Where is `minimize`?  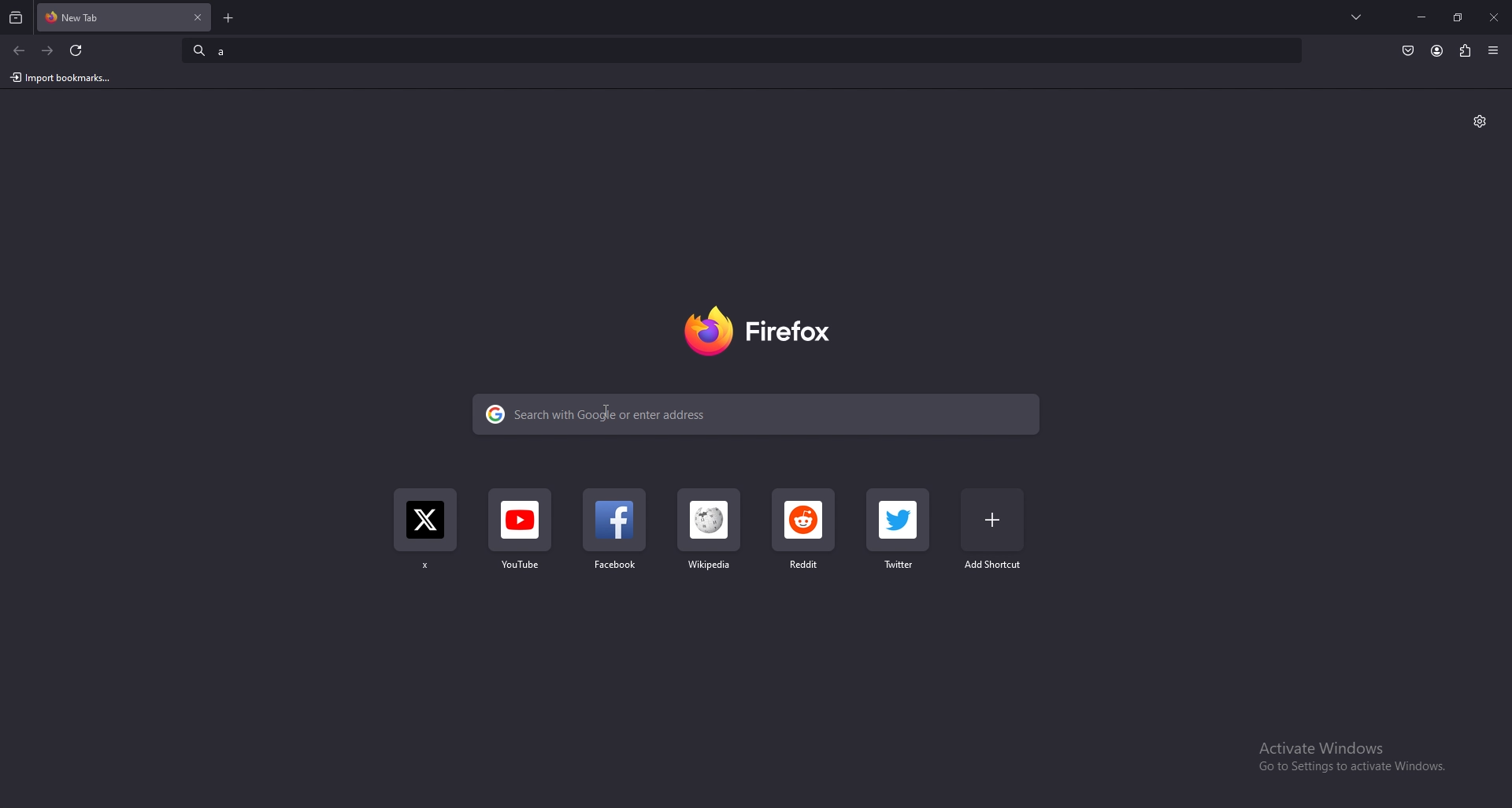
minimize is located at coordinates (1422, 17).